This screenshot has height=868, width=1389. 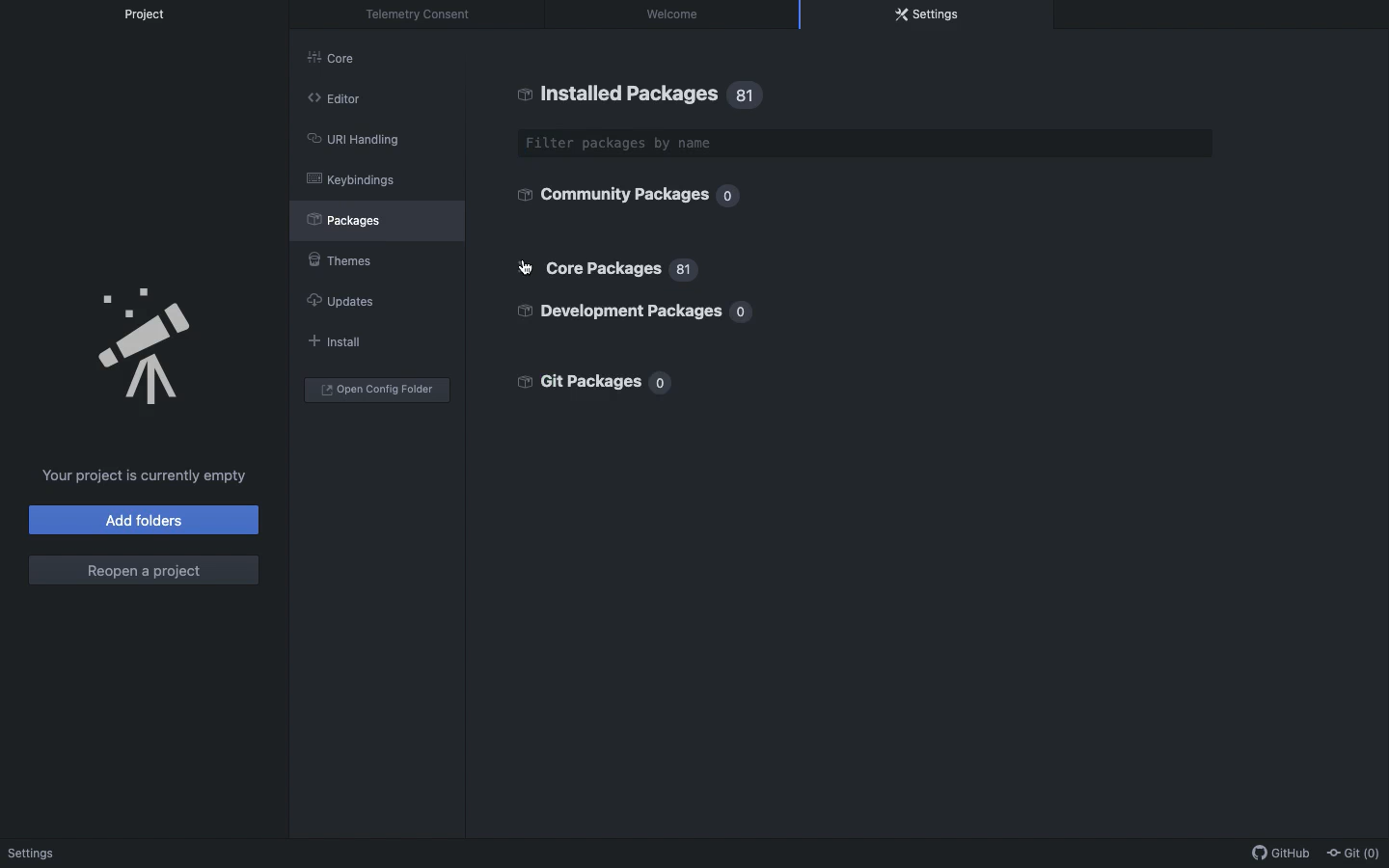 What do you see at coordinates (867, 144) in the screenshot?
I see `Filter packages by name` at bounding box center [867, 144].